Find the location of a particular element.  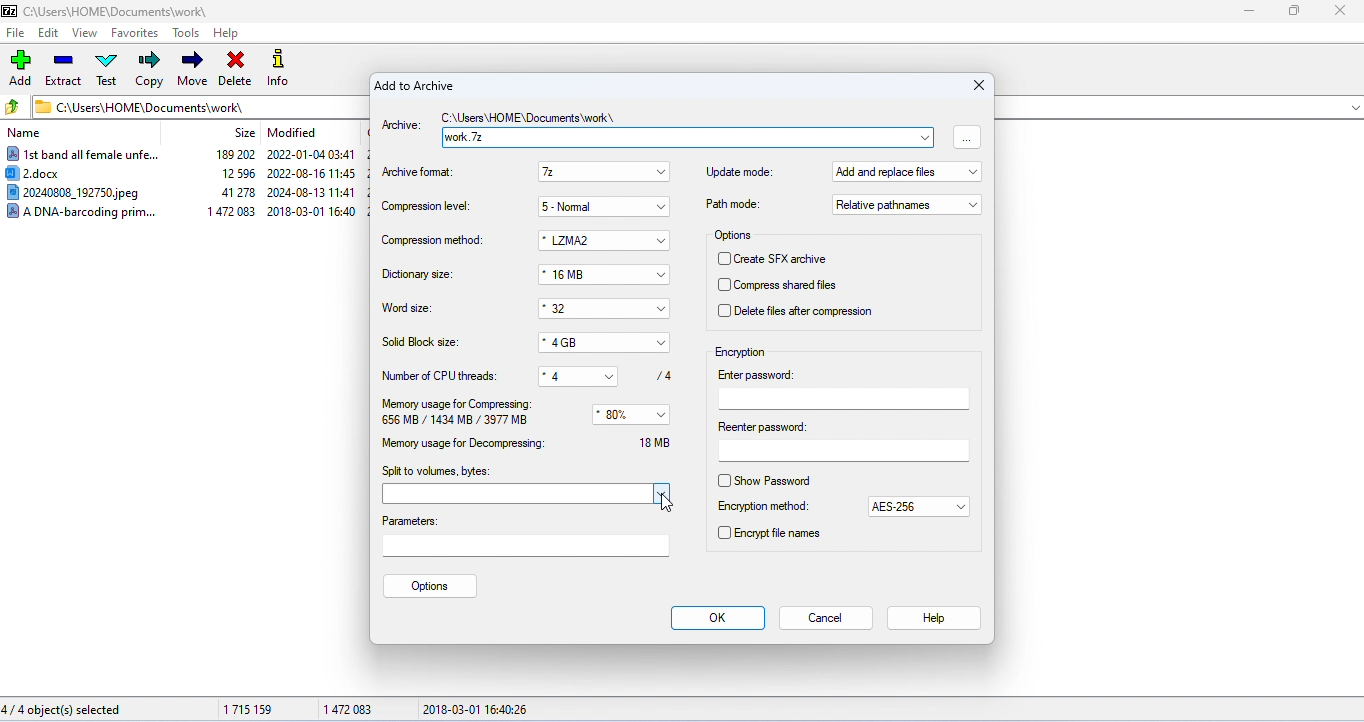

show password is located at coordinates (782, 480).